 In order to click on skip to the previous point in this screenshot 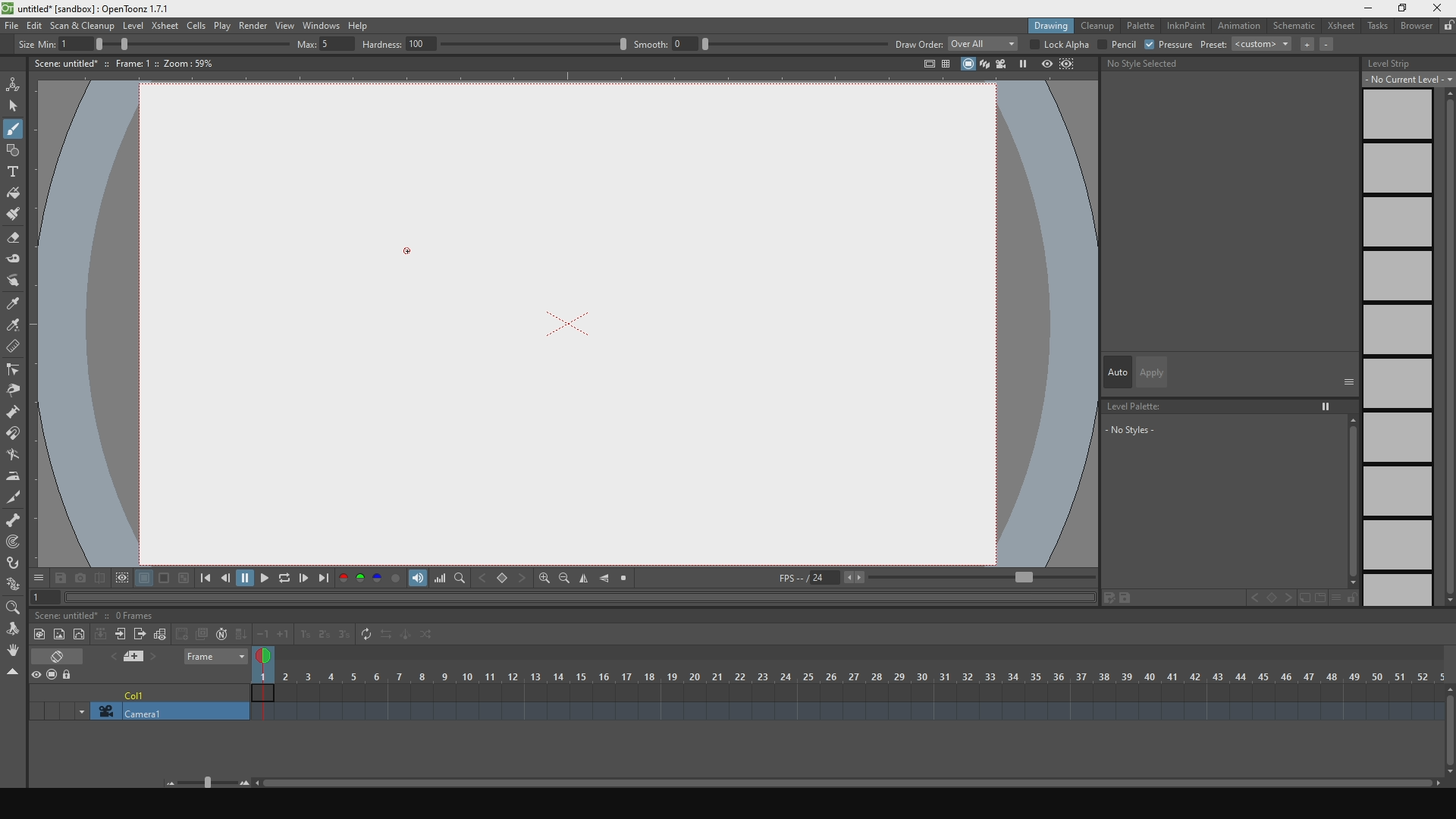, I will do `click(203, 579)`.